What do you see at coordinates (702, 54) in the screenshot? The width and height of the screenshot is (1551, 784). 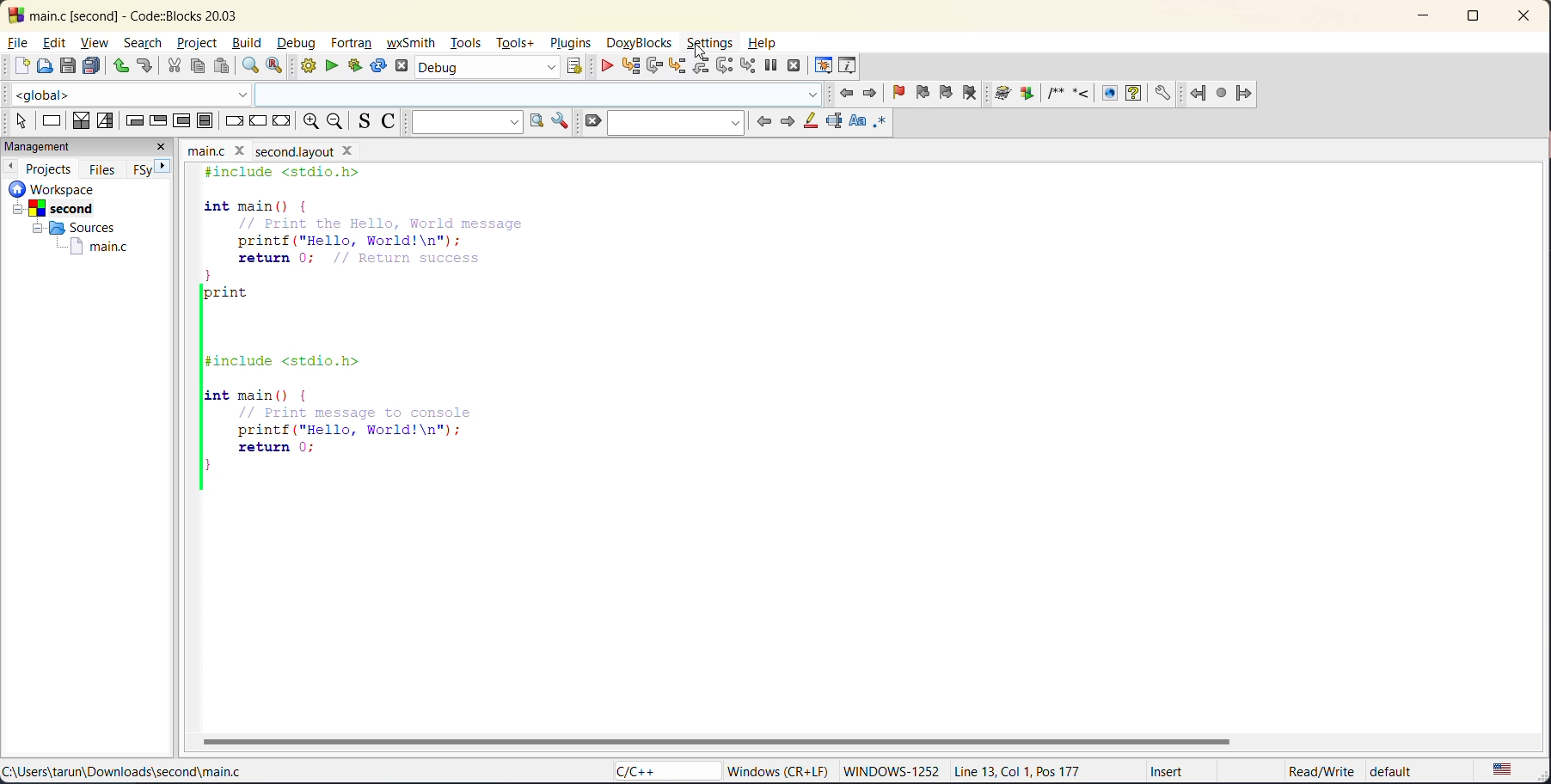 I see `cursor` at bounding box center [702, 54].